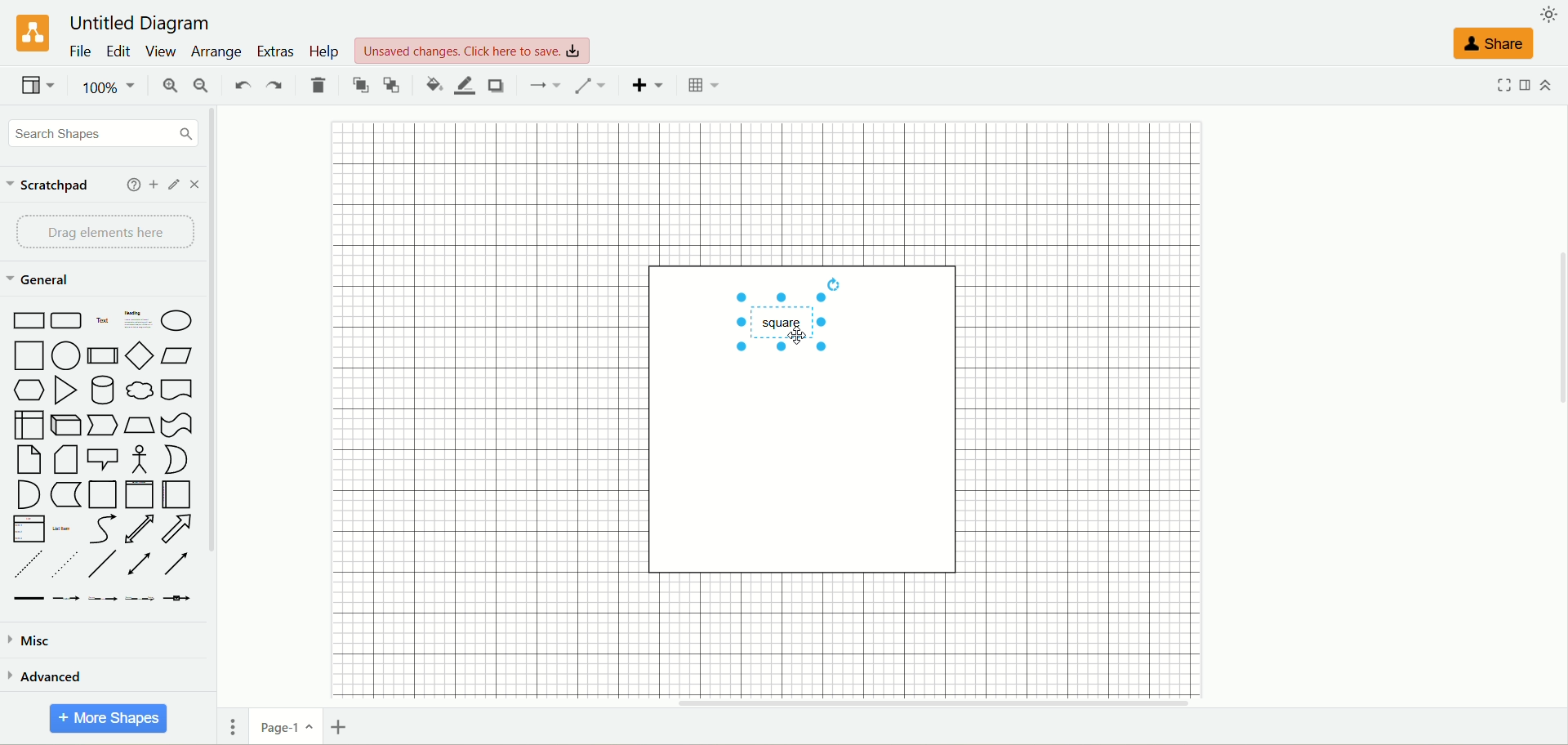 The width and height of the screenshot is (1568, 745). Describe the element at coordinates (224, 397) in the screenshot. I see `vertical scroll bar` at that location.